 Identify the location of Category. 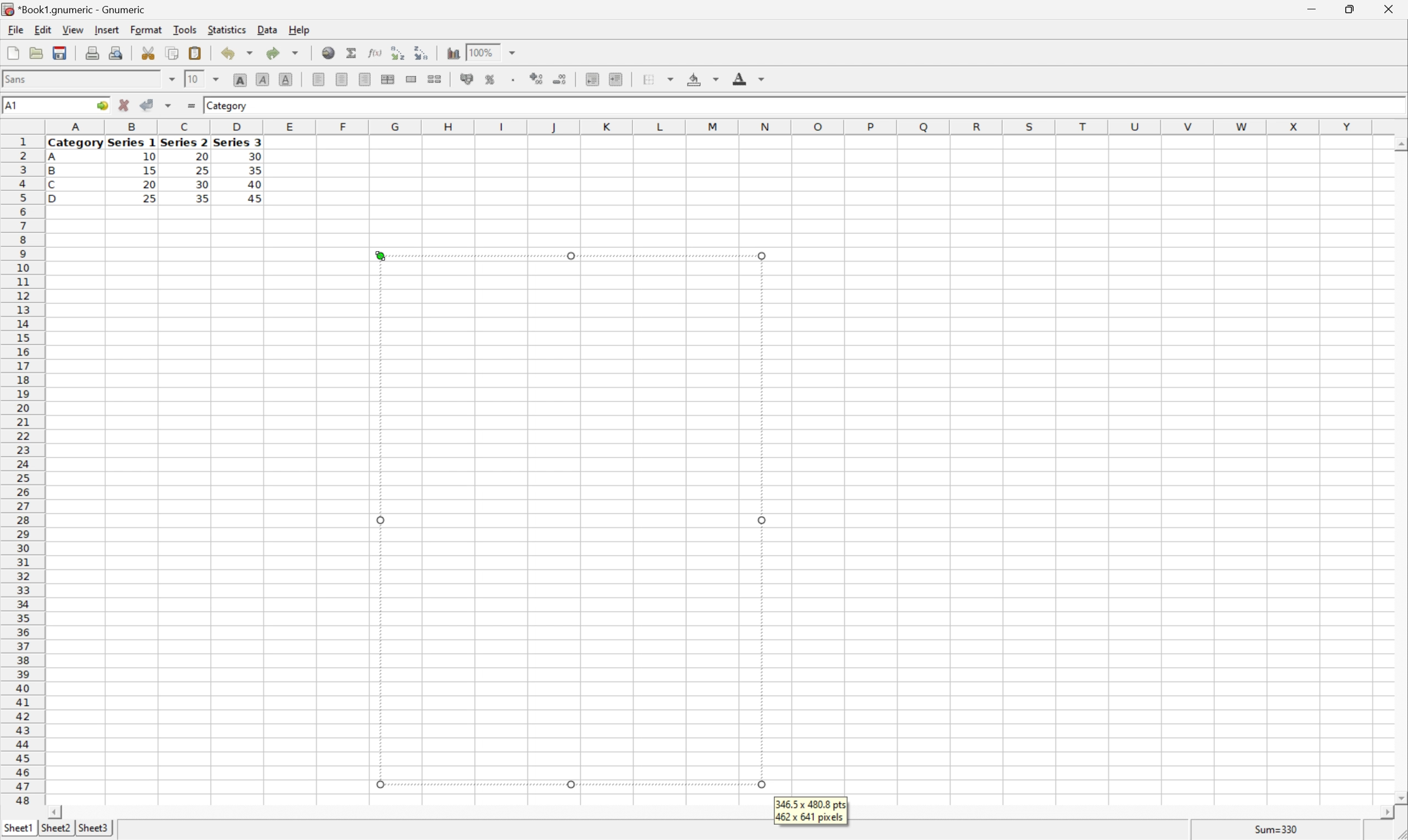
(228, 106).